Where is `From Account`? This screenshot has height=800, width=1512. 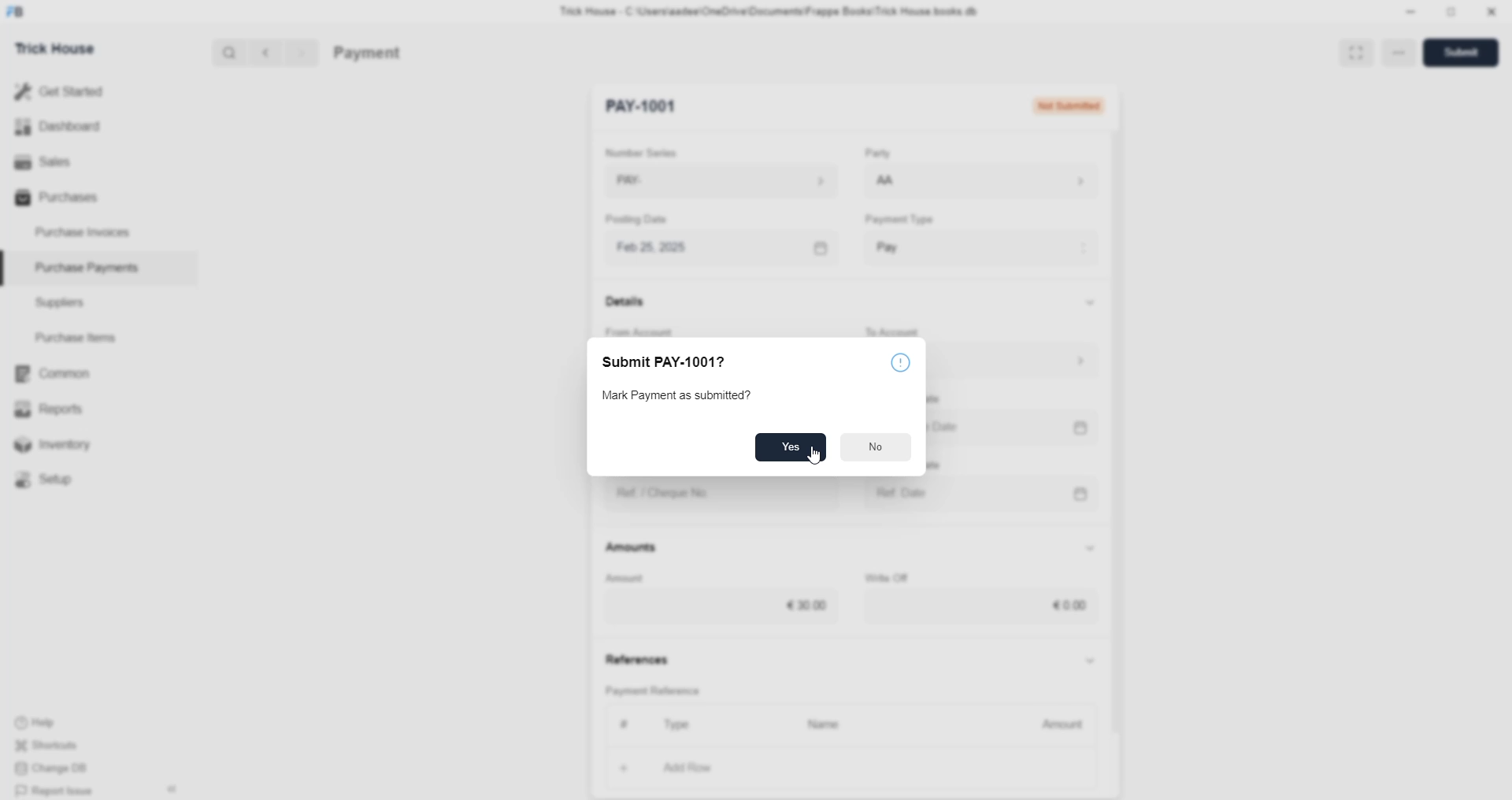 From Account is located at coordinates (651, 328).